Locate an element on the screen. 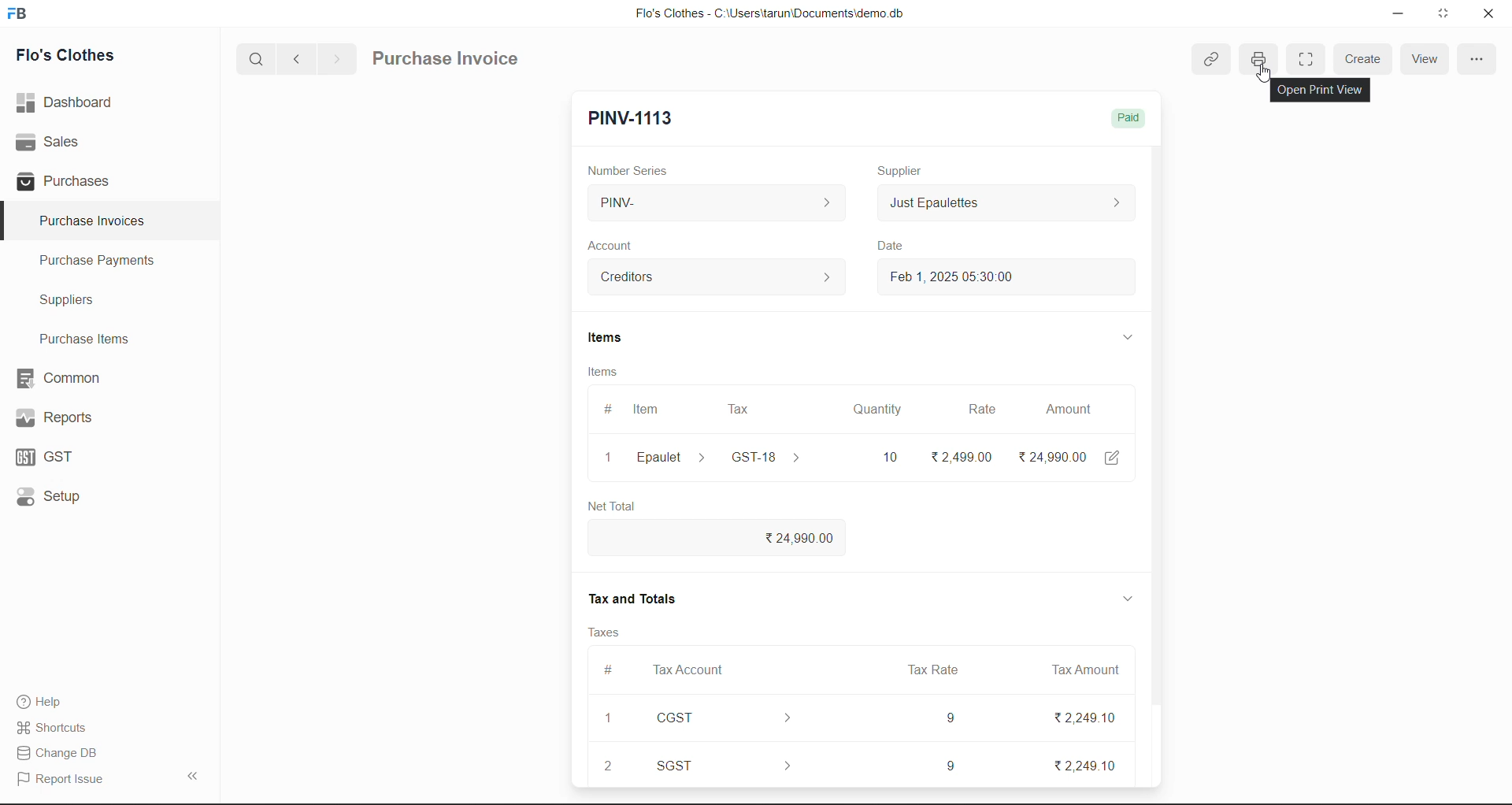 Image resolution: width=1512 pixels, height=805 pixels. close is located at coordinates (1488, 17).